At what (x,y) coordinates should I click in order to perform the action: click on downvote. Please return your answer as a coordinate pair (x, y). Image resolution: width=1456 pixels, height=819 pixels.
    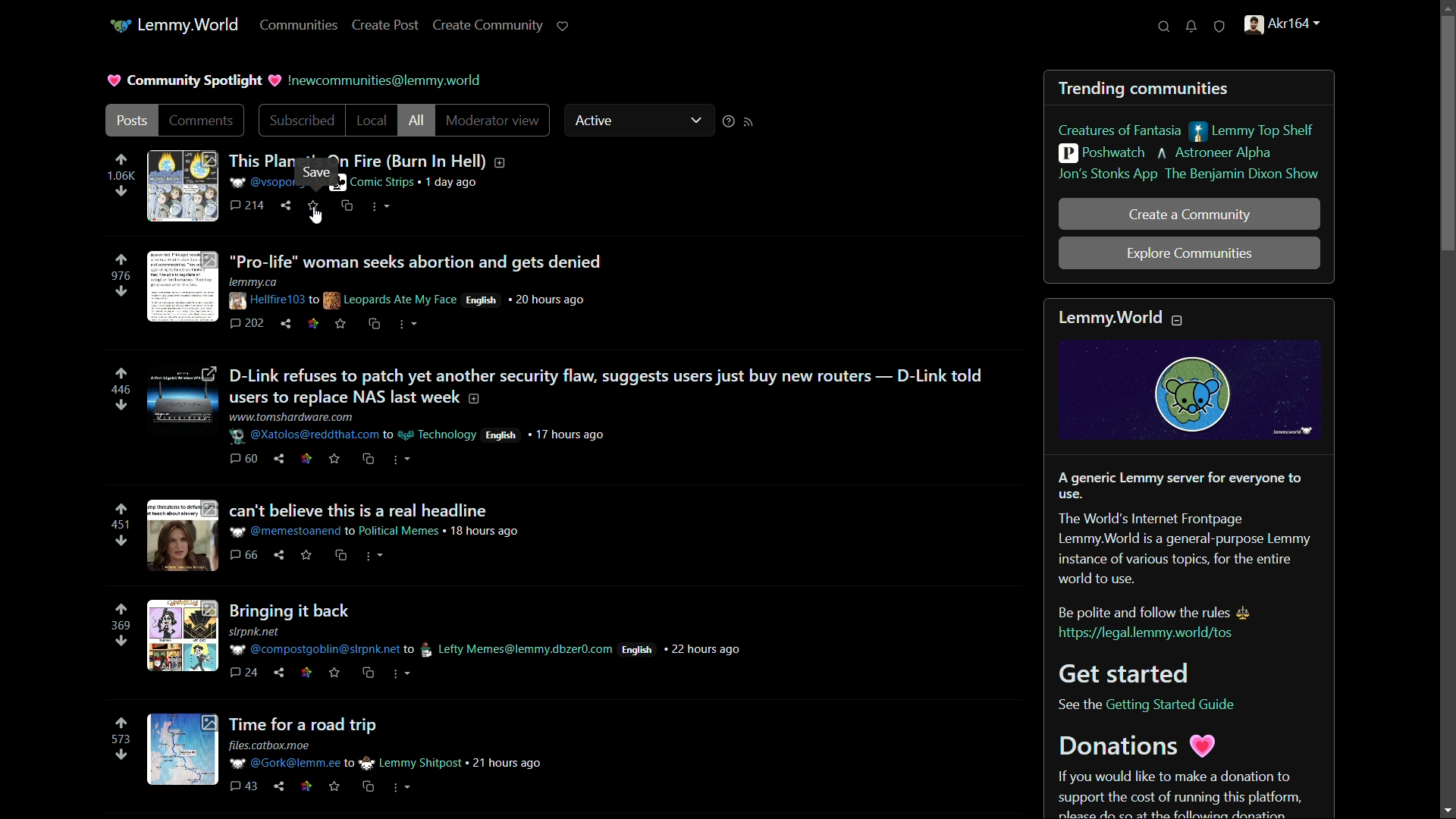
    Looking at the image, I should click on (121, 293).